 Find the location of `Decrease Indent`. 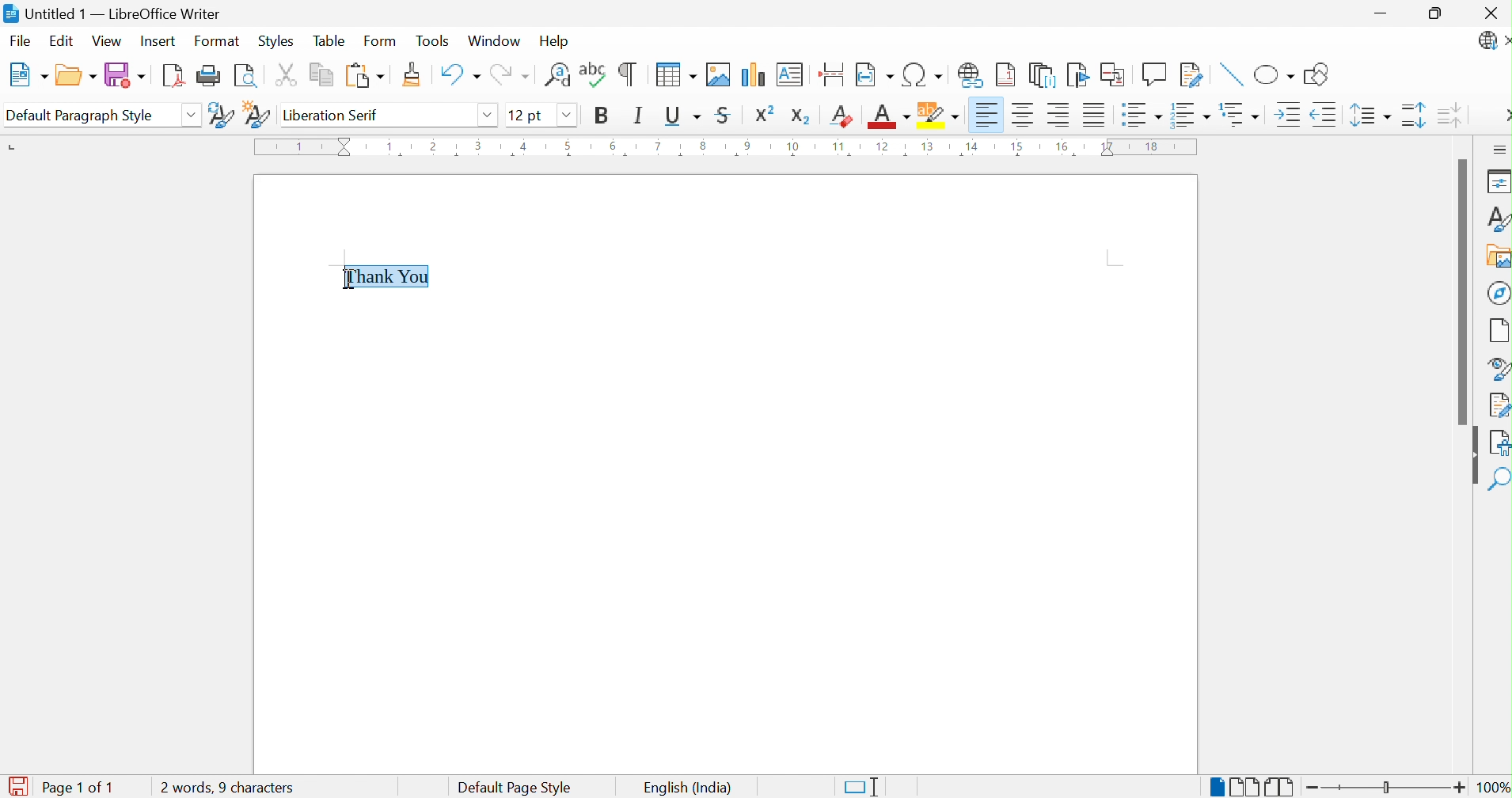

Decrease Indent is located at coordinates (1325, 114).